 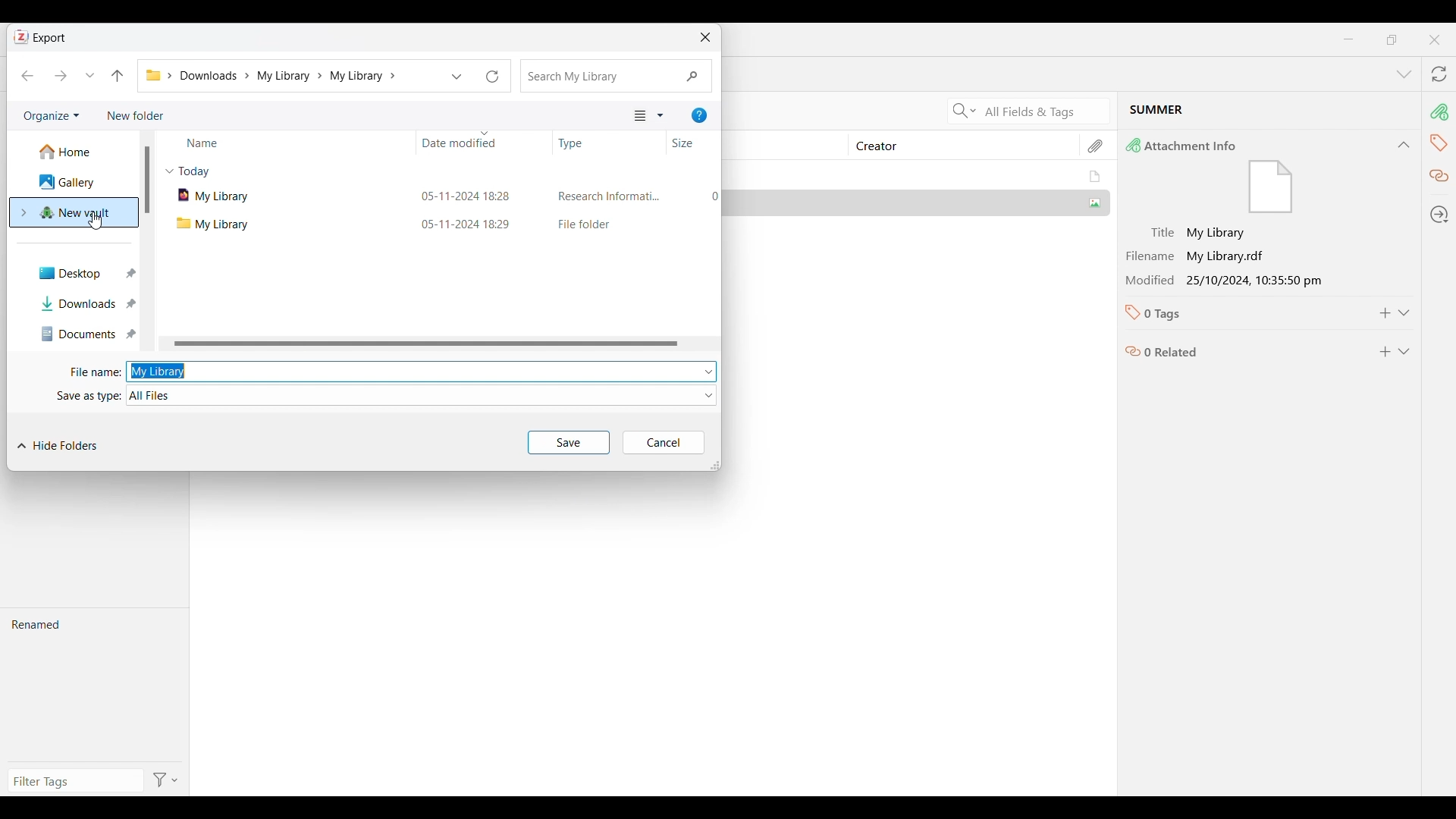 I want to click on Forward, so click(x=61, y=76).